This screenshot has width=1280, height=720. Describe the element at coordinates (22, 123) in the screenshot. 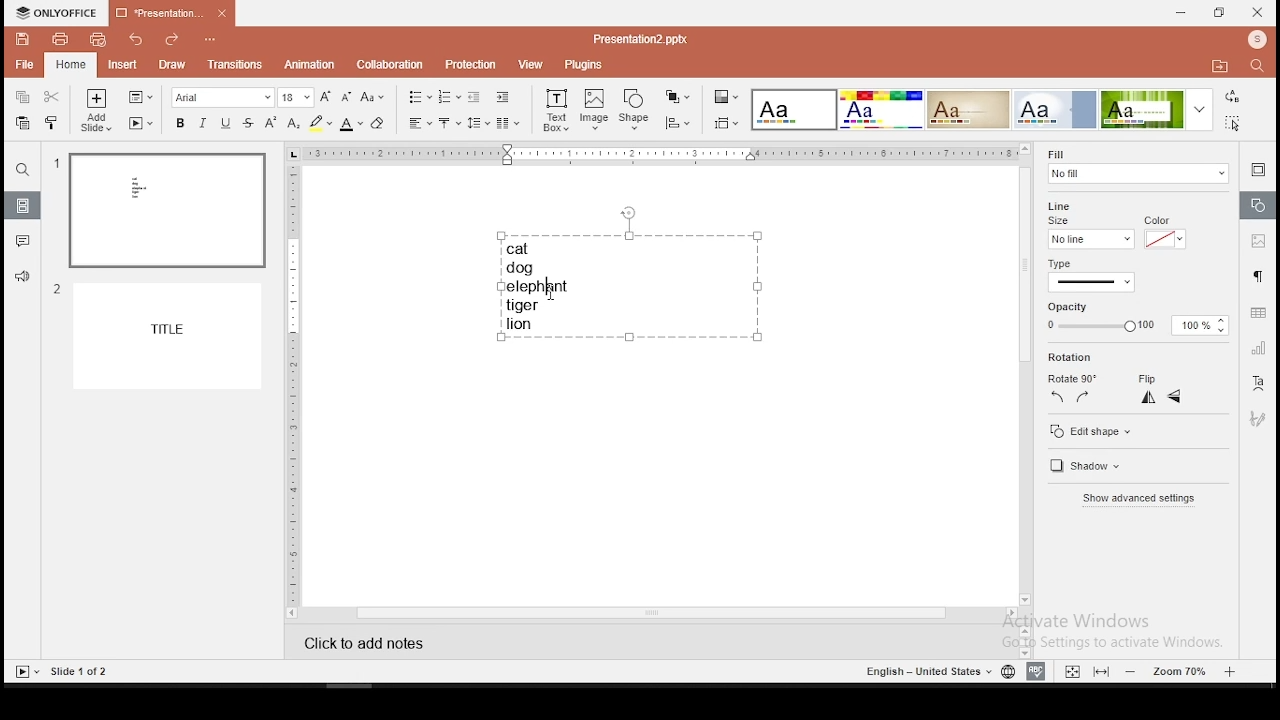

I see `paste` at that location.